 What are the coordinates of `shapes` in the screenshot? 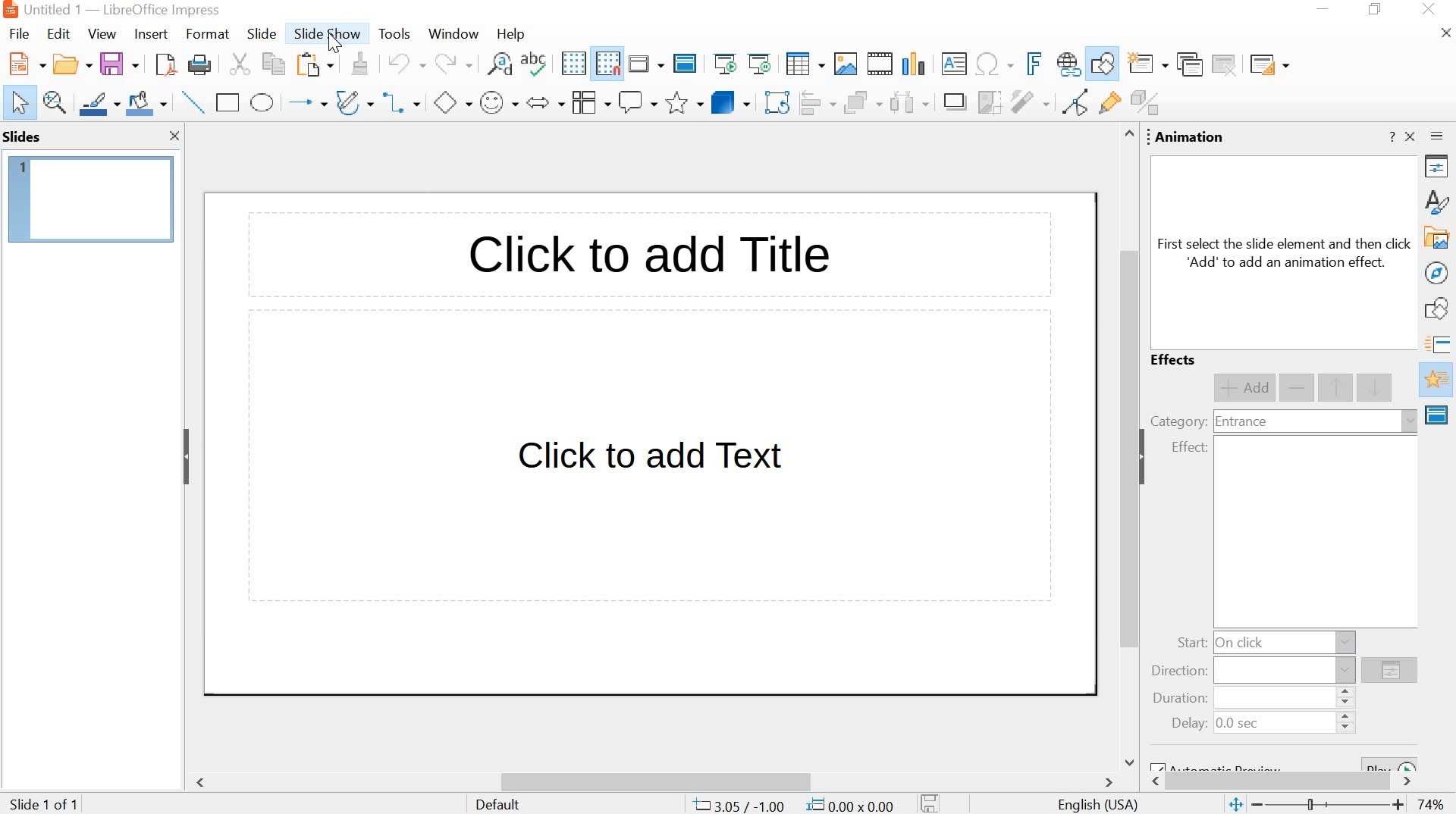 It's located at (1439, 311).